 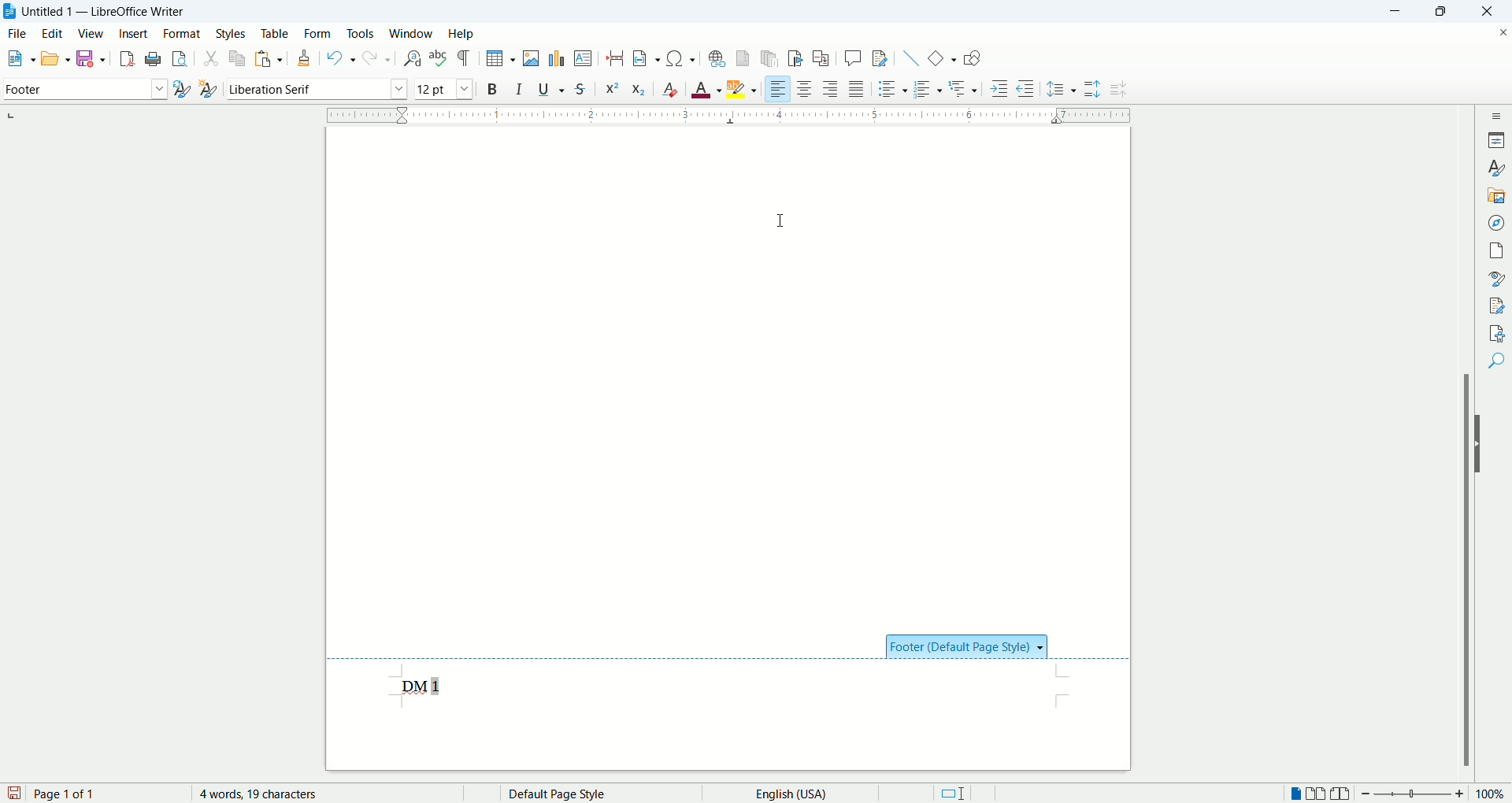 What do you see at coordinates (1062, 91) in the screenshot?
I see `line spacing` at bounding box center [1062, 91].